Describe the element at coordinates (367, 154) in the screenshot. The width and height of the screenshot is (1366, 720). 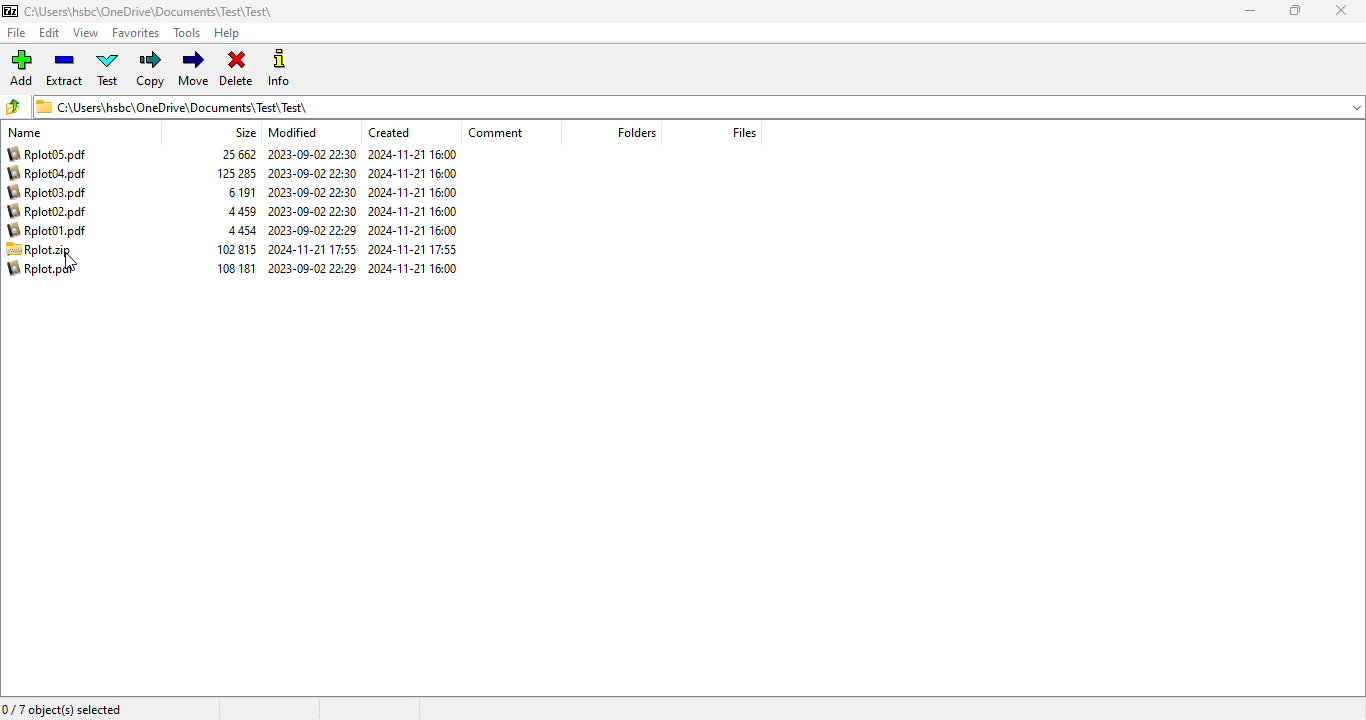
I see `2023-09-02 22:30  2024-11-21 16:00` at that location.